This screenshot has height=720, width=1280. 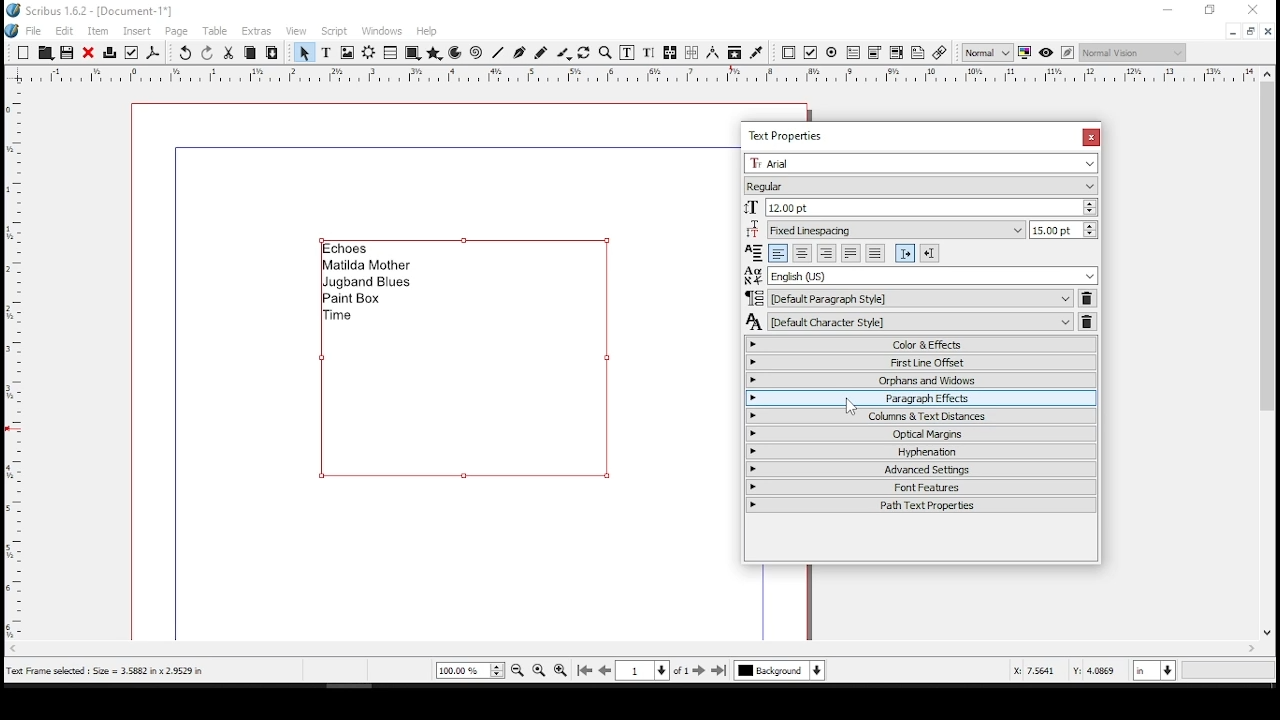 What do you see at coordinates (874, 54) in the screenshot?
I see `pdf combo box` at bounding box center [874, 54].